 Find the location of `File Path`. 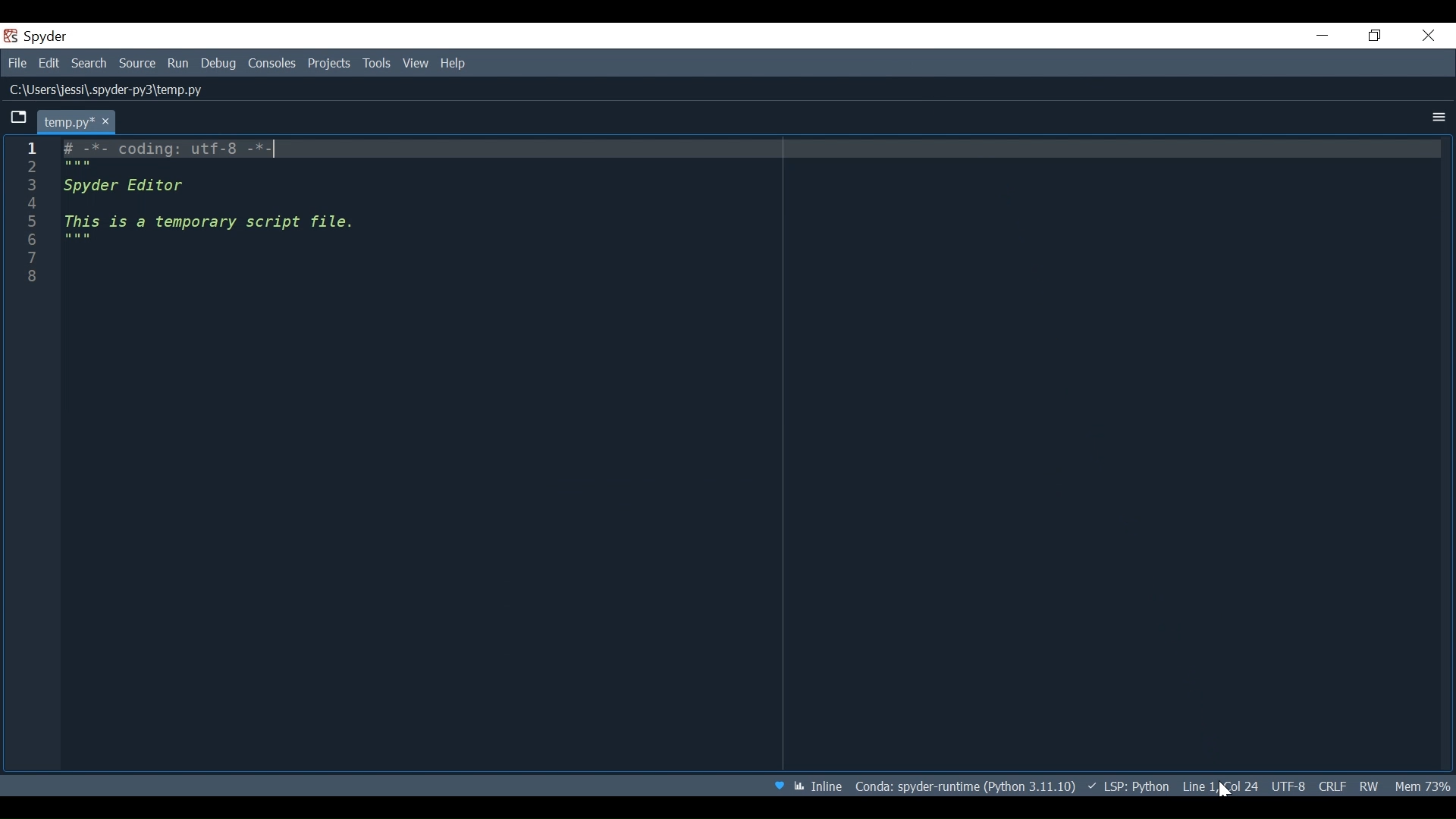

File Path is located at coordinates (120, 91).